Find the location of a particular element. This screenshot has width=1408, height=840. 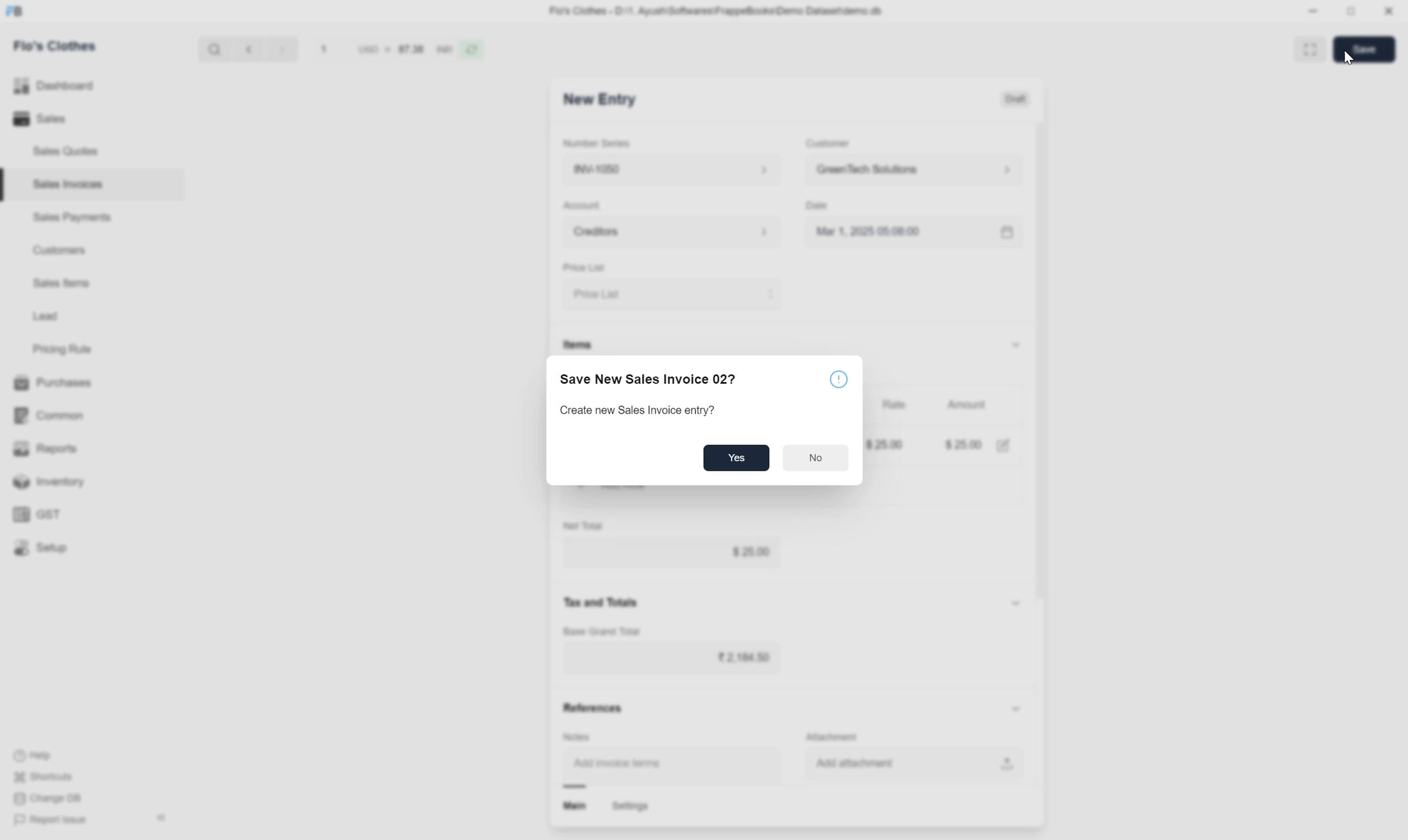

no is located at coordinates (814, 458).